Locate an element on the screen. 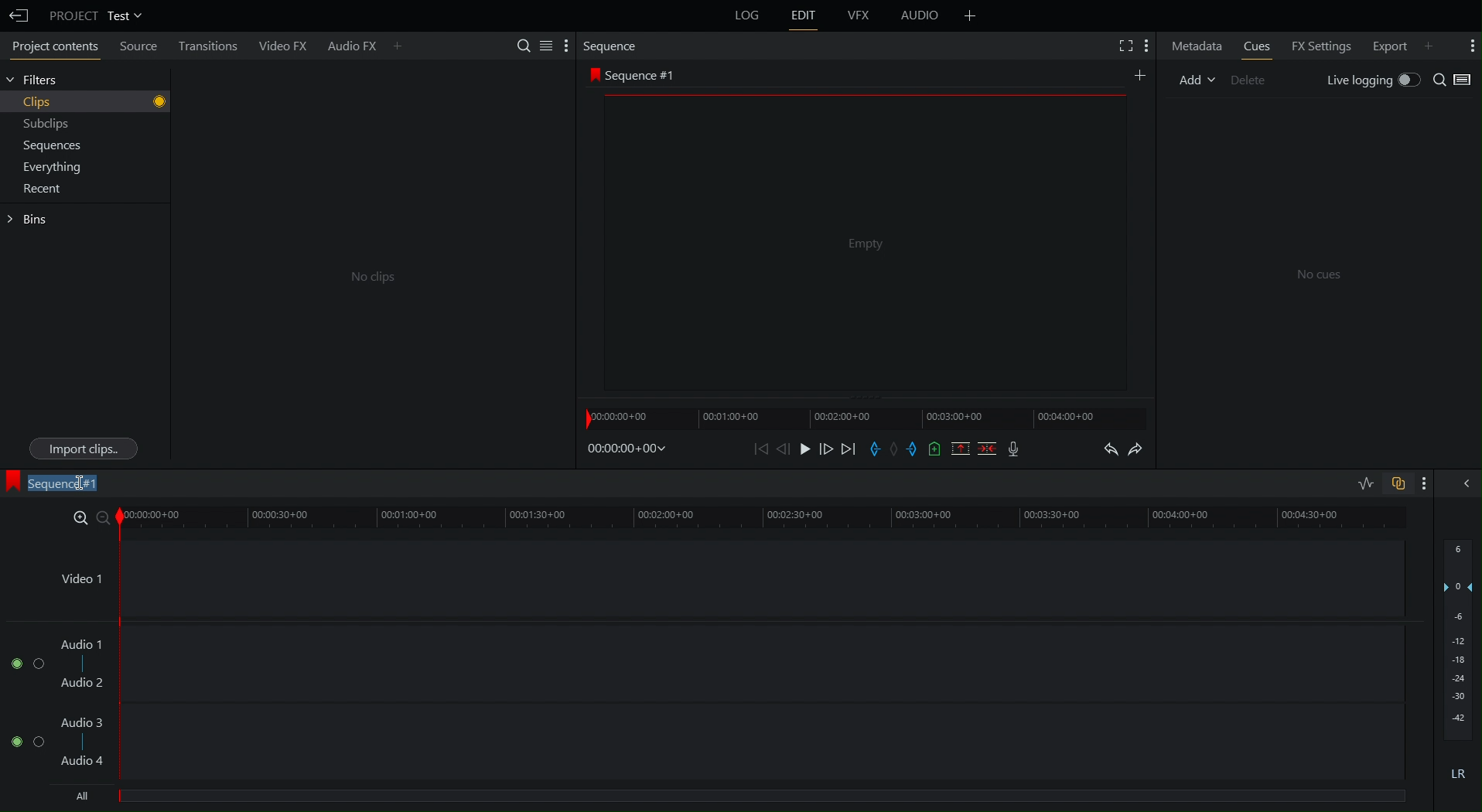 The height and width of the screenshot is (812, 1482). Skip Forward is located at coordinates (851, 448).